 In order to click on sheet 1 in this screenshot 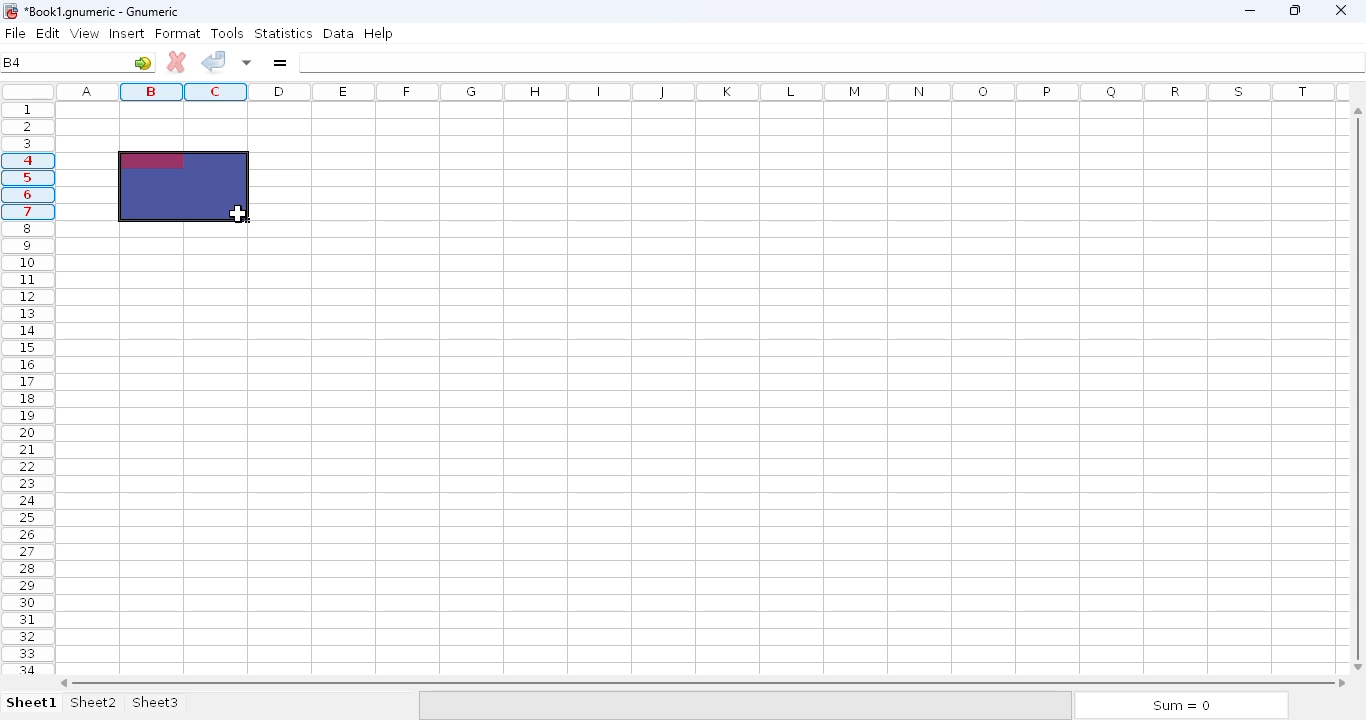, I will do `click(31, 702)`.